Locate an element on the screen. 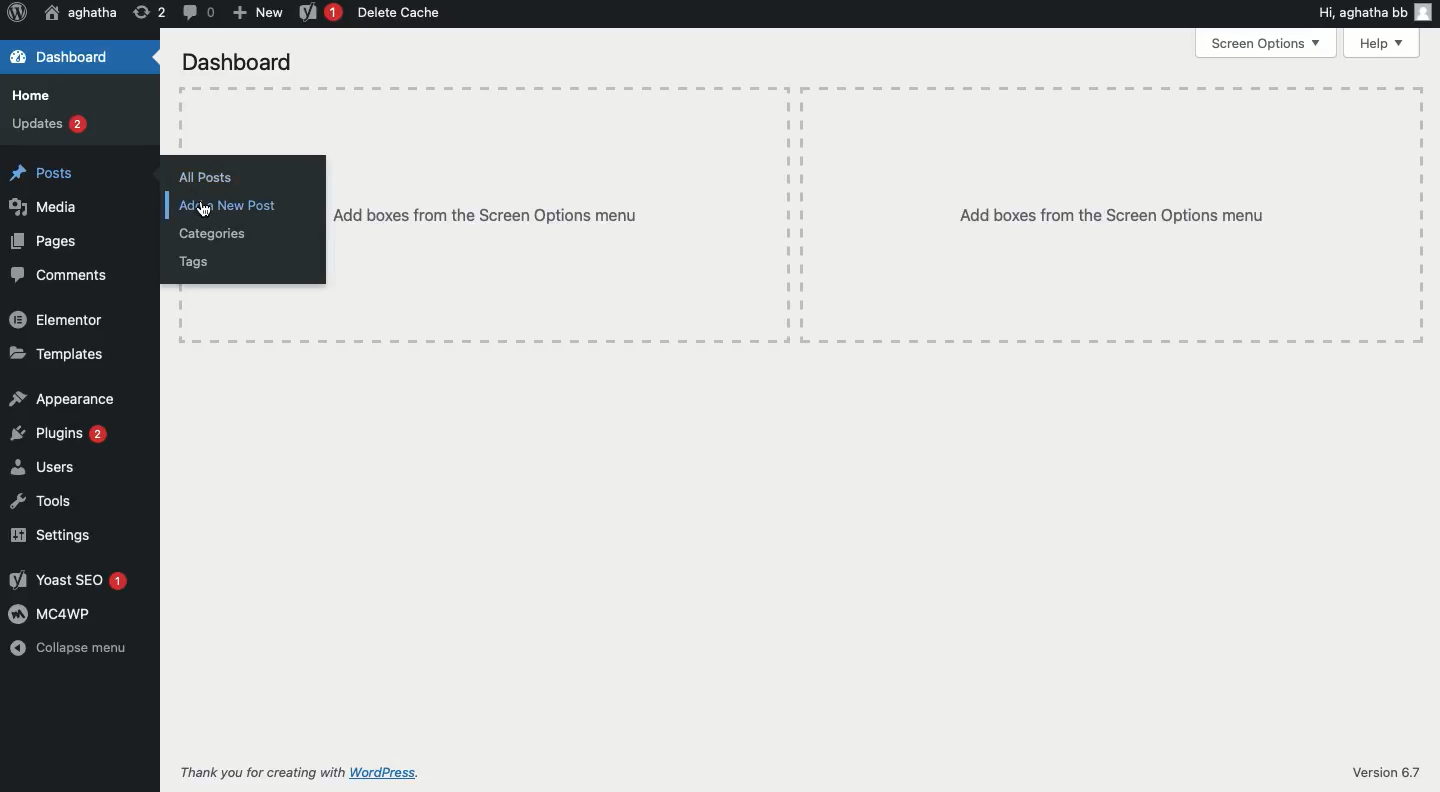 This screenshot has width=1440, height=792. Collapse menu is located at coordinates (70, 647).